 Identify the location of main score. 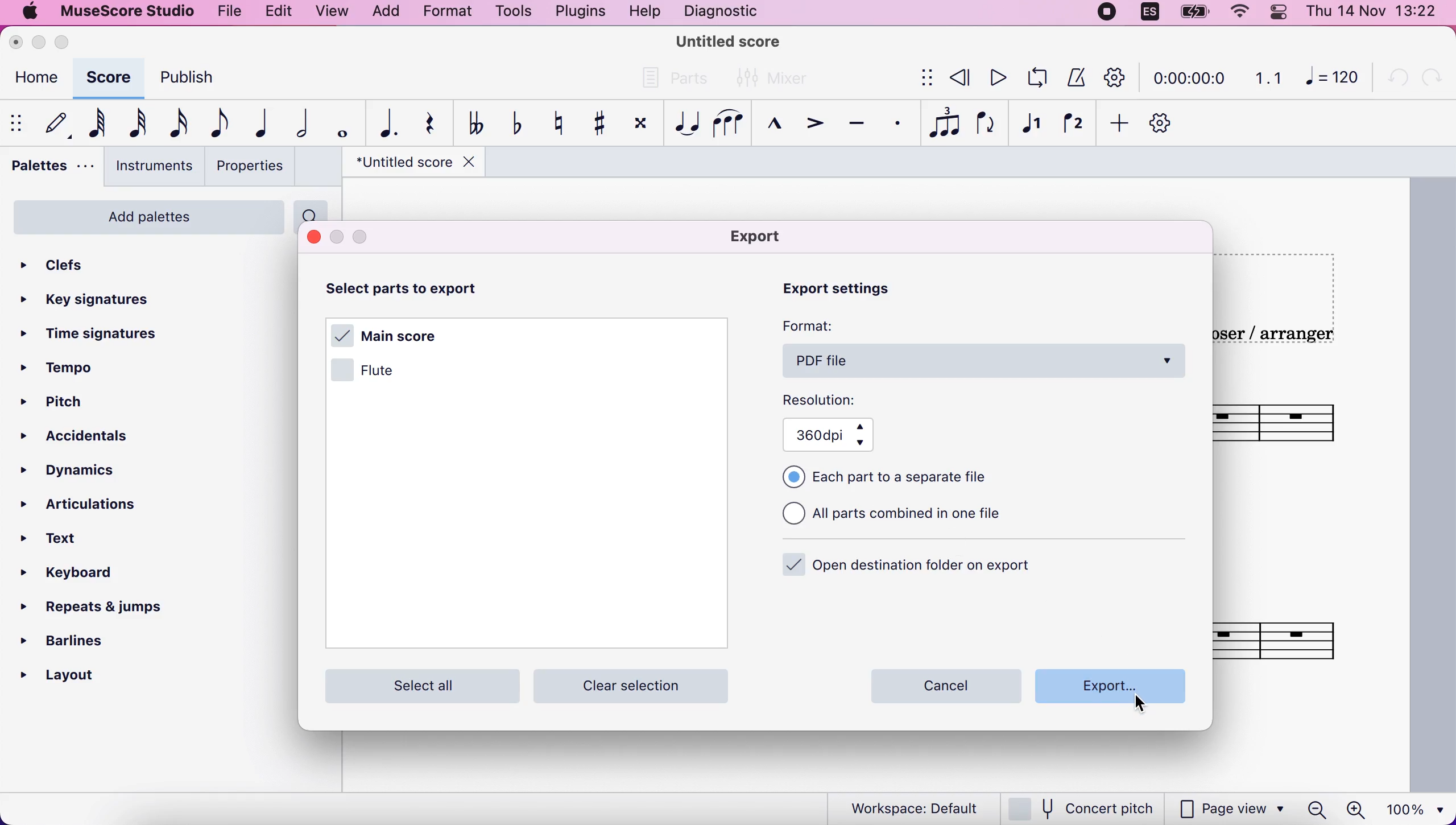
(392, 333).